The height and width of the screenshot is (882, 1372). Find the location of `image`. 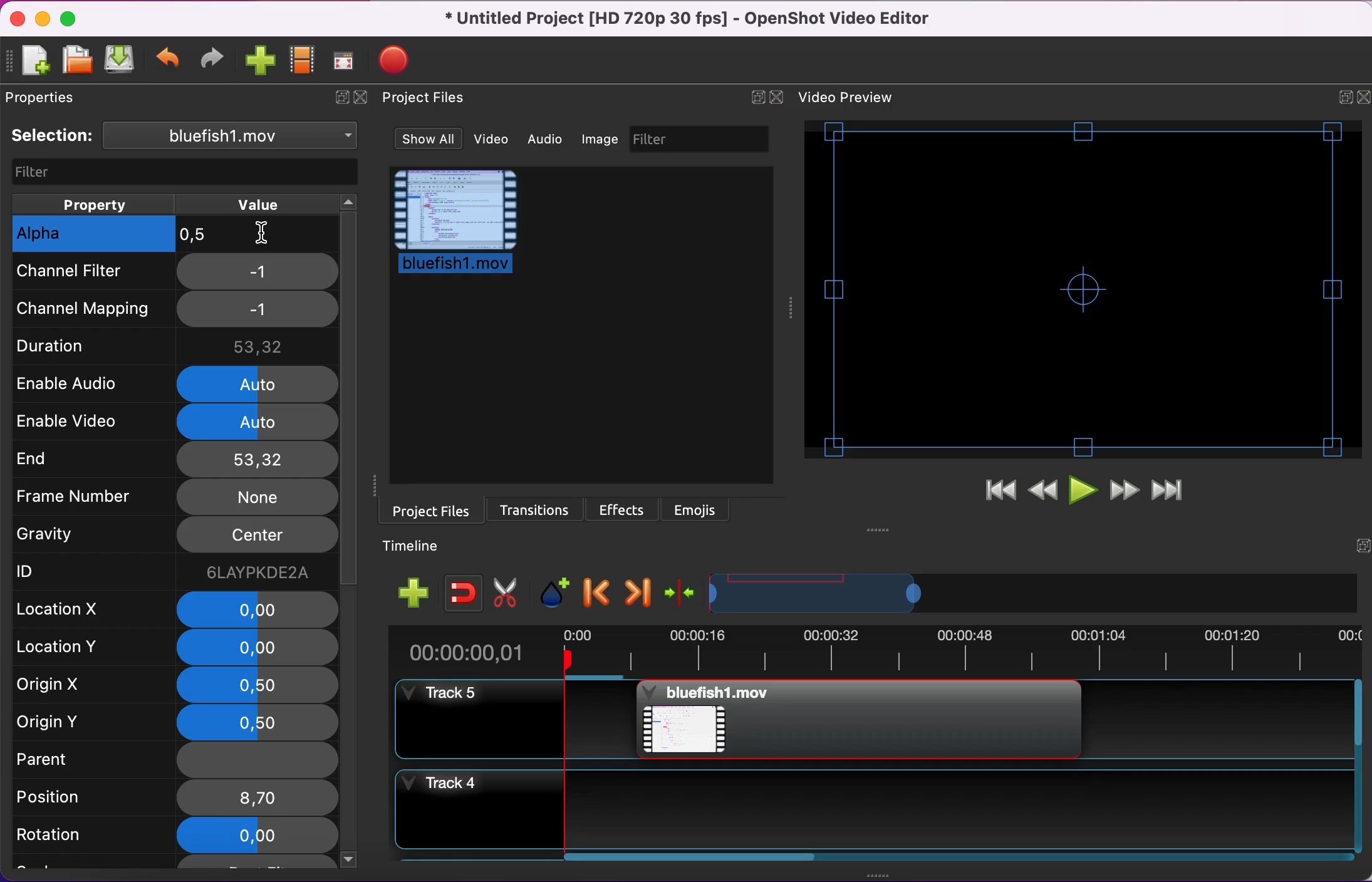

image is located at coordinates (602, 140).